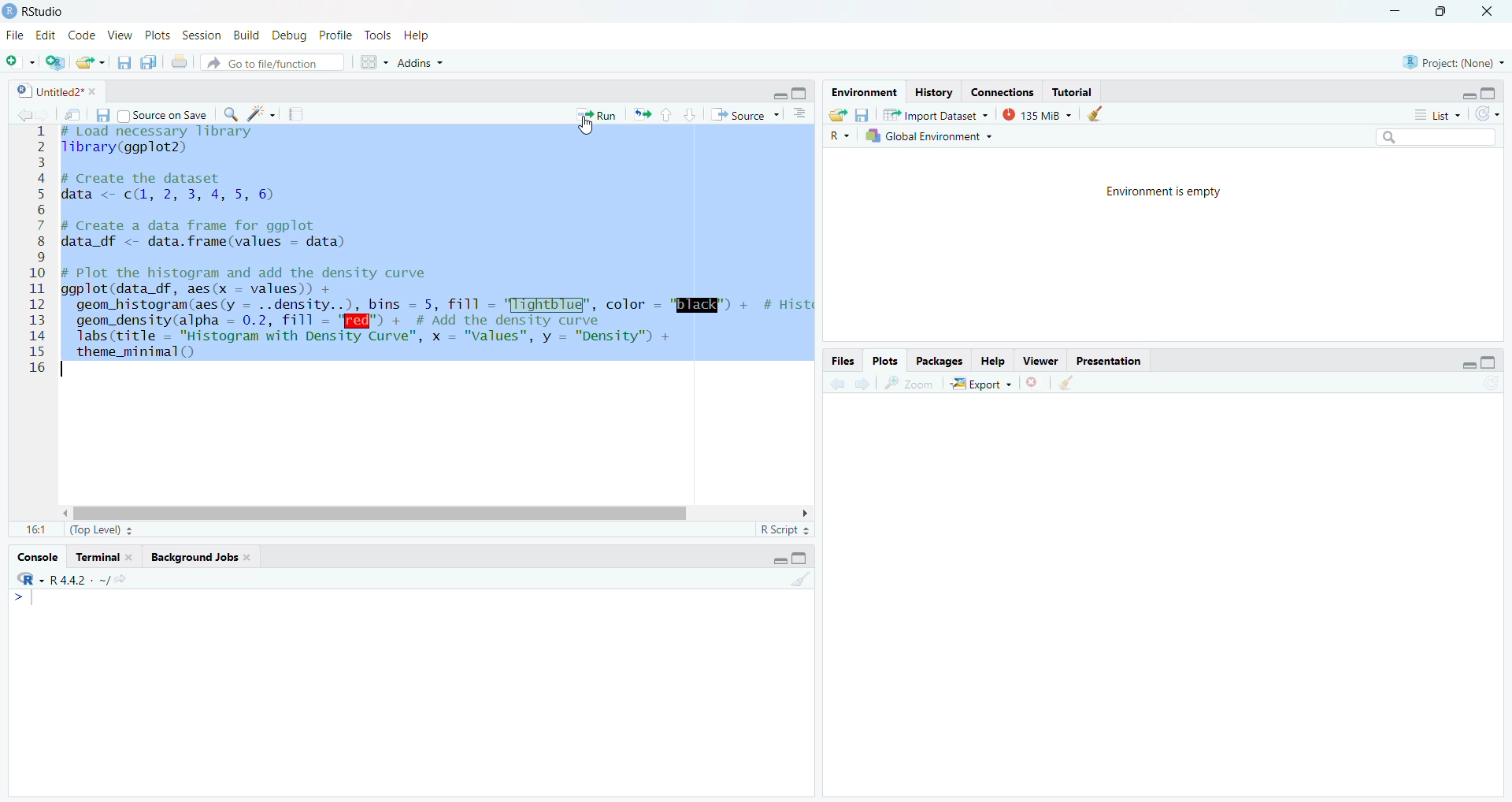 The image size is (1512, 802). I want to click on workspace panes, so click(377, 61).